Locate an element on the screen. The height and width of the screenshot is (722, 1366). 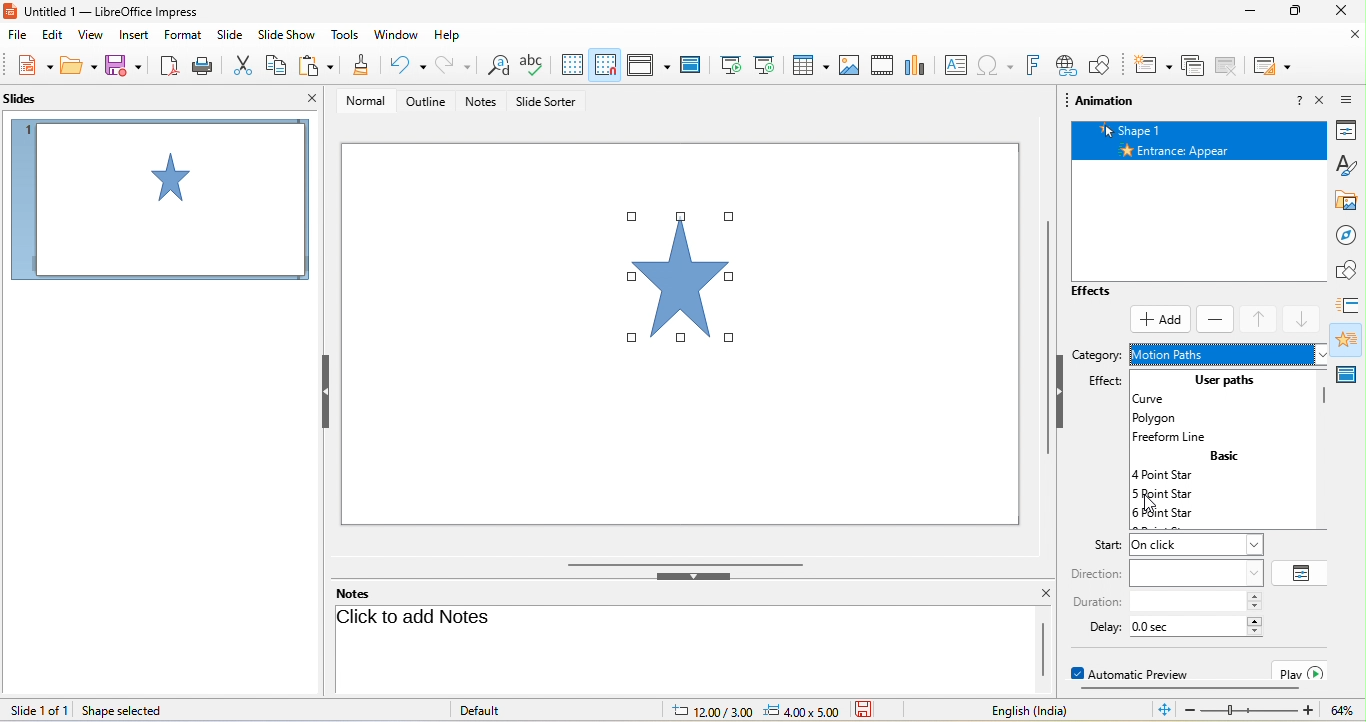
scrollbar is located at coordinates (1325, 395).